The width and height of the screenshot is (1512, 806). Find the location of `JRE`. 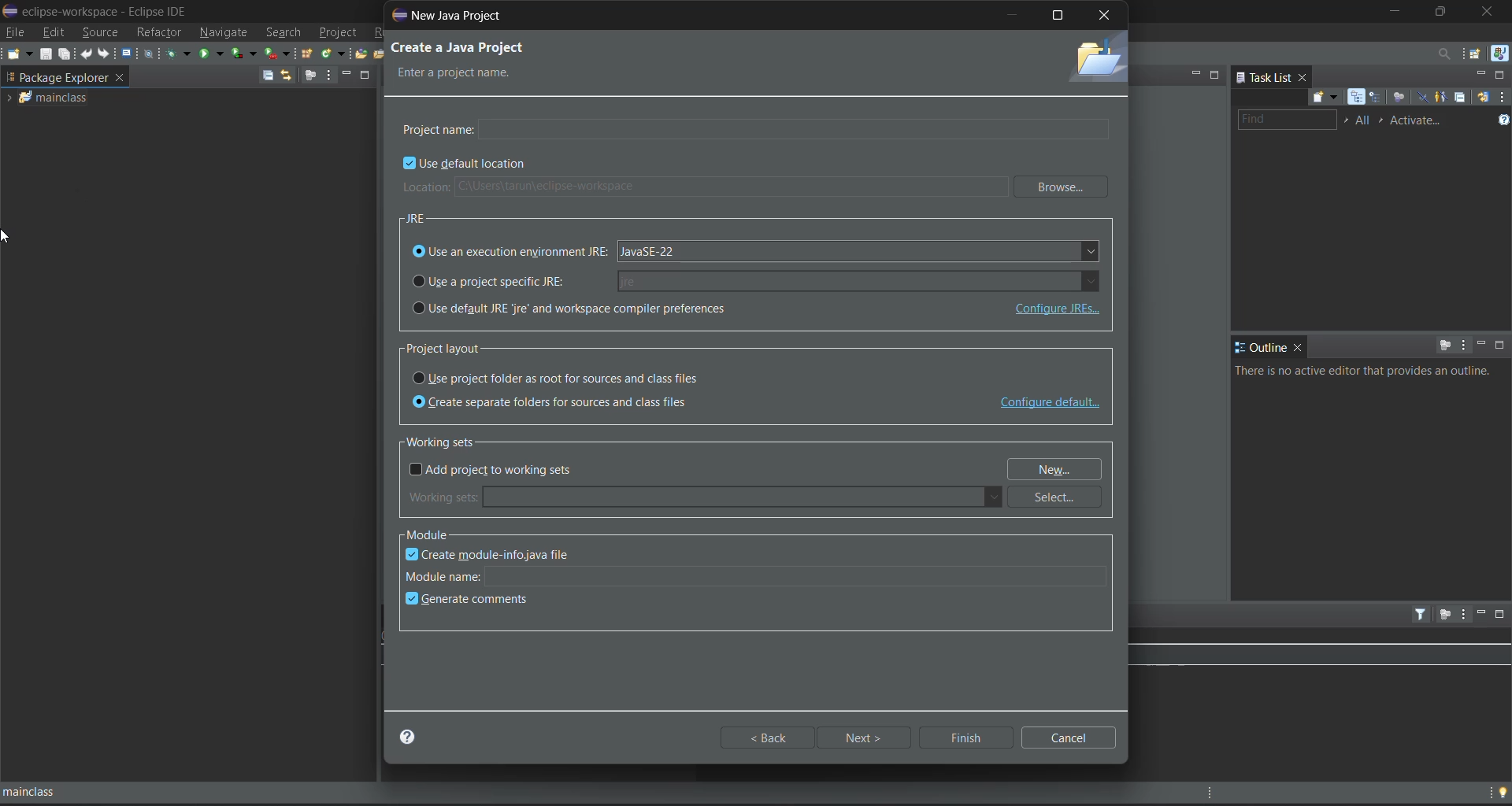

JRE is located at coordinates (418, 217).